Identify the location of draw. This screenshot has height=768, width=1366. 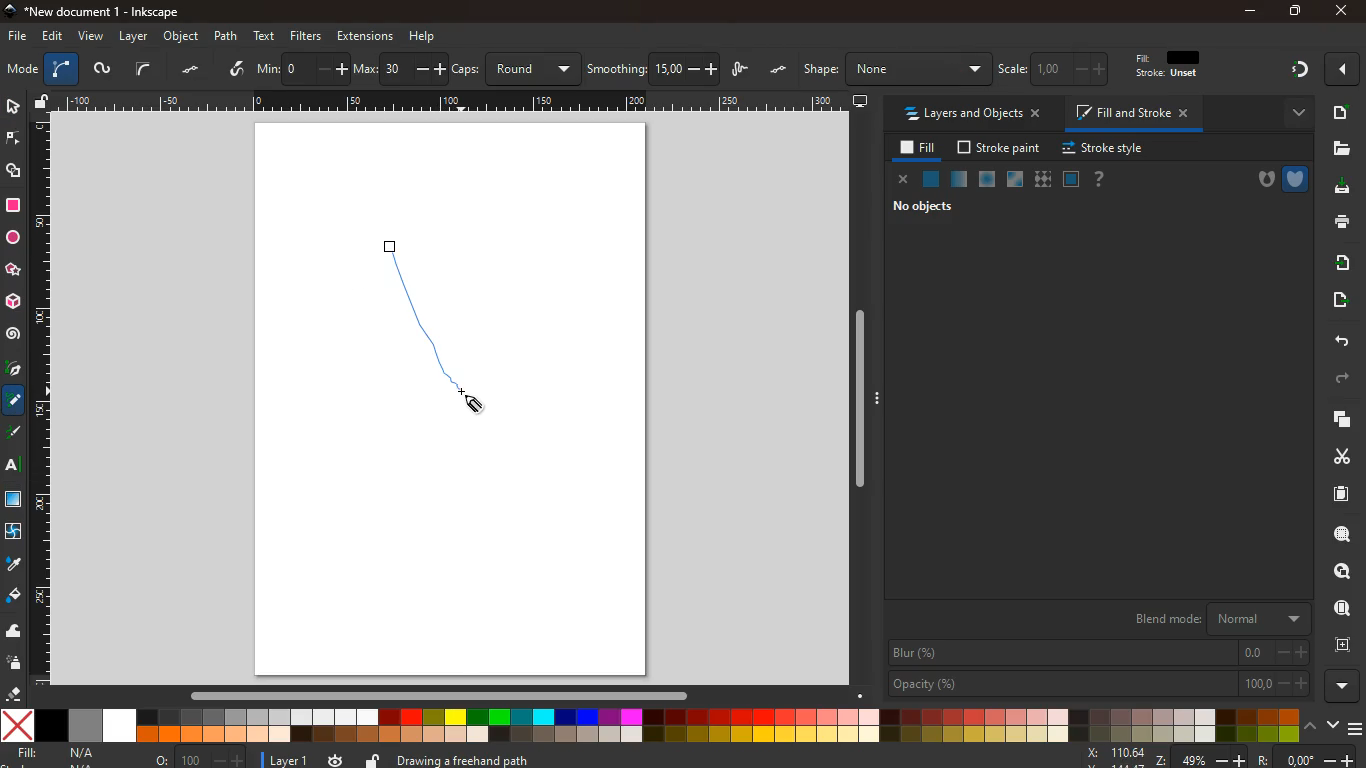
(399, 256).